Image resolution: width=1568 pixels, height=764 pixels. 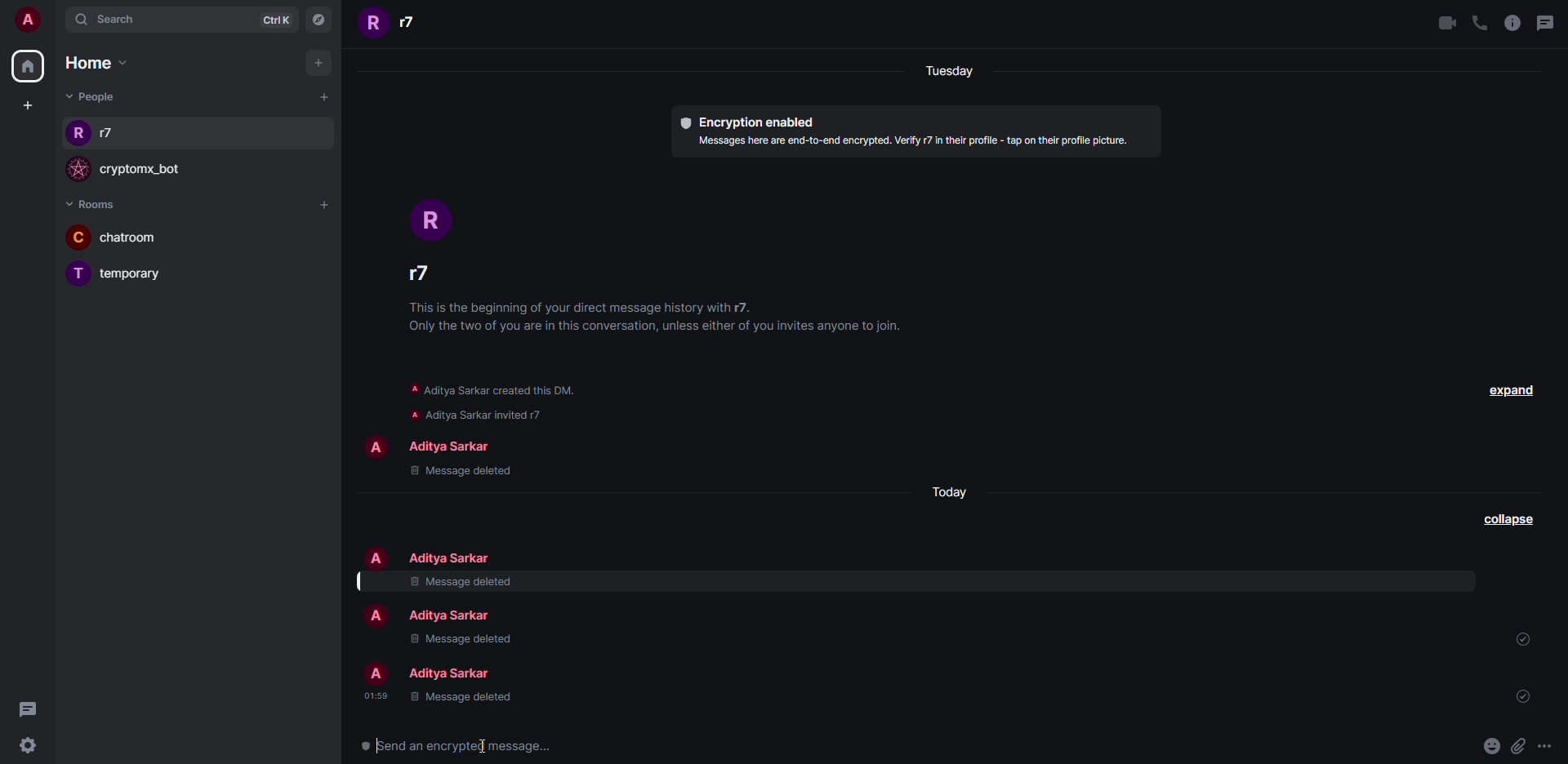 I want to click on emoji, so click(x=1490, y=744).